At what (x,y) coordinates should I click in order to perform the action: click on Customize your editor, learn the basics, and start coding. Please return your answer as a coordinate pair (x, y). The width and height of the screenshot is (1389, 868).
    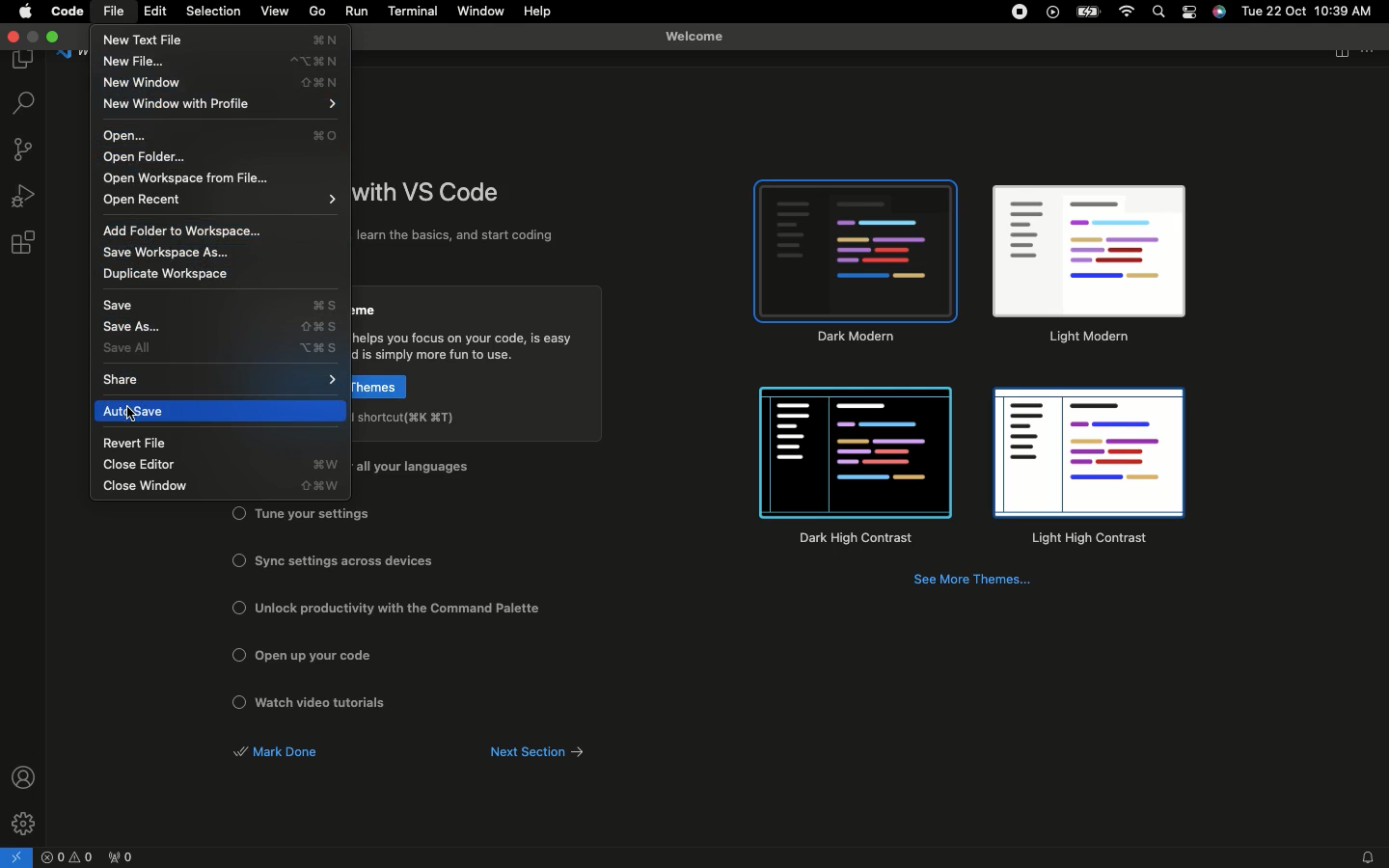
    Looking at the image, I should click on (460, 237).